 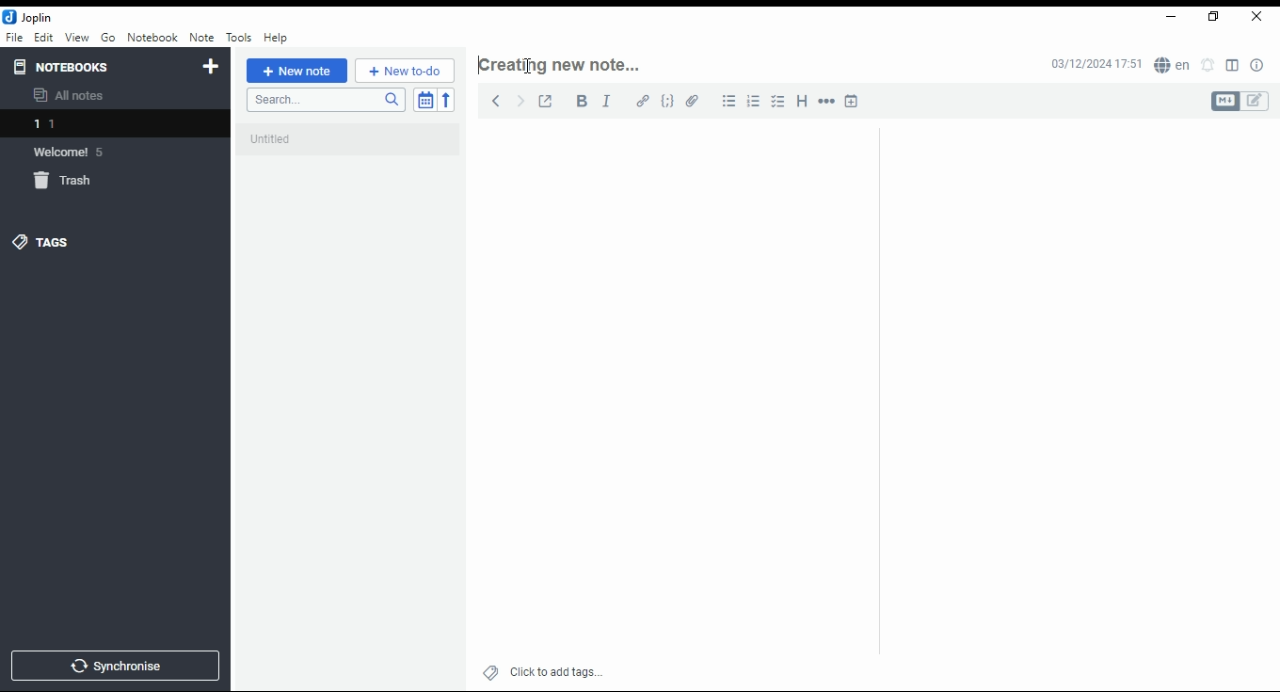 I want to click on toggle sort order, so click(x=424, y=99).